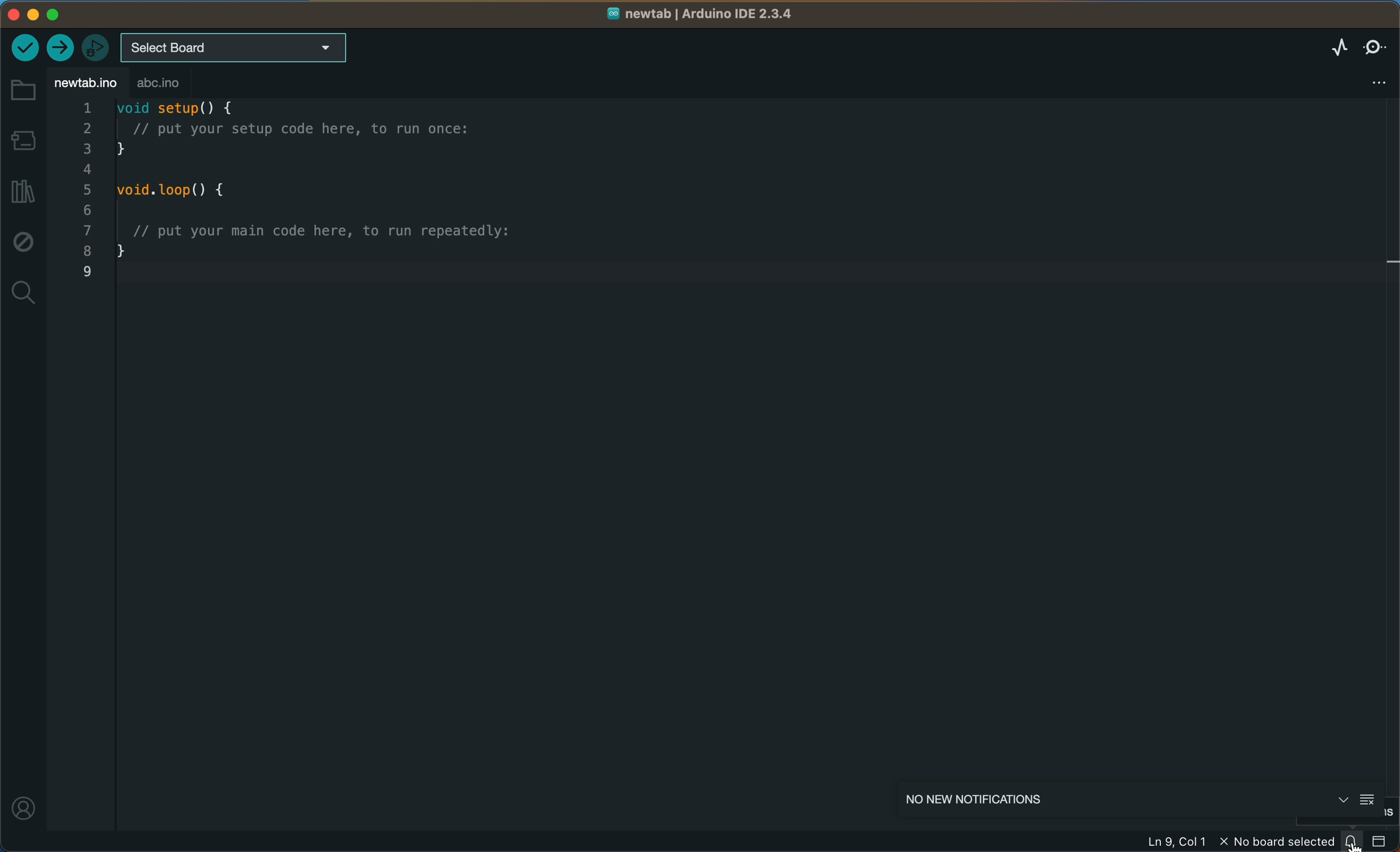  I want to click on notification, so click(1035, 800).